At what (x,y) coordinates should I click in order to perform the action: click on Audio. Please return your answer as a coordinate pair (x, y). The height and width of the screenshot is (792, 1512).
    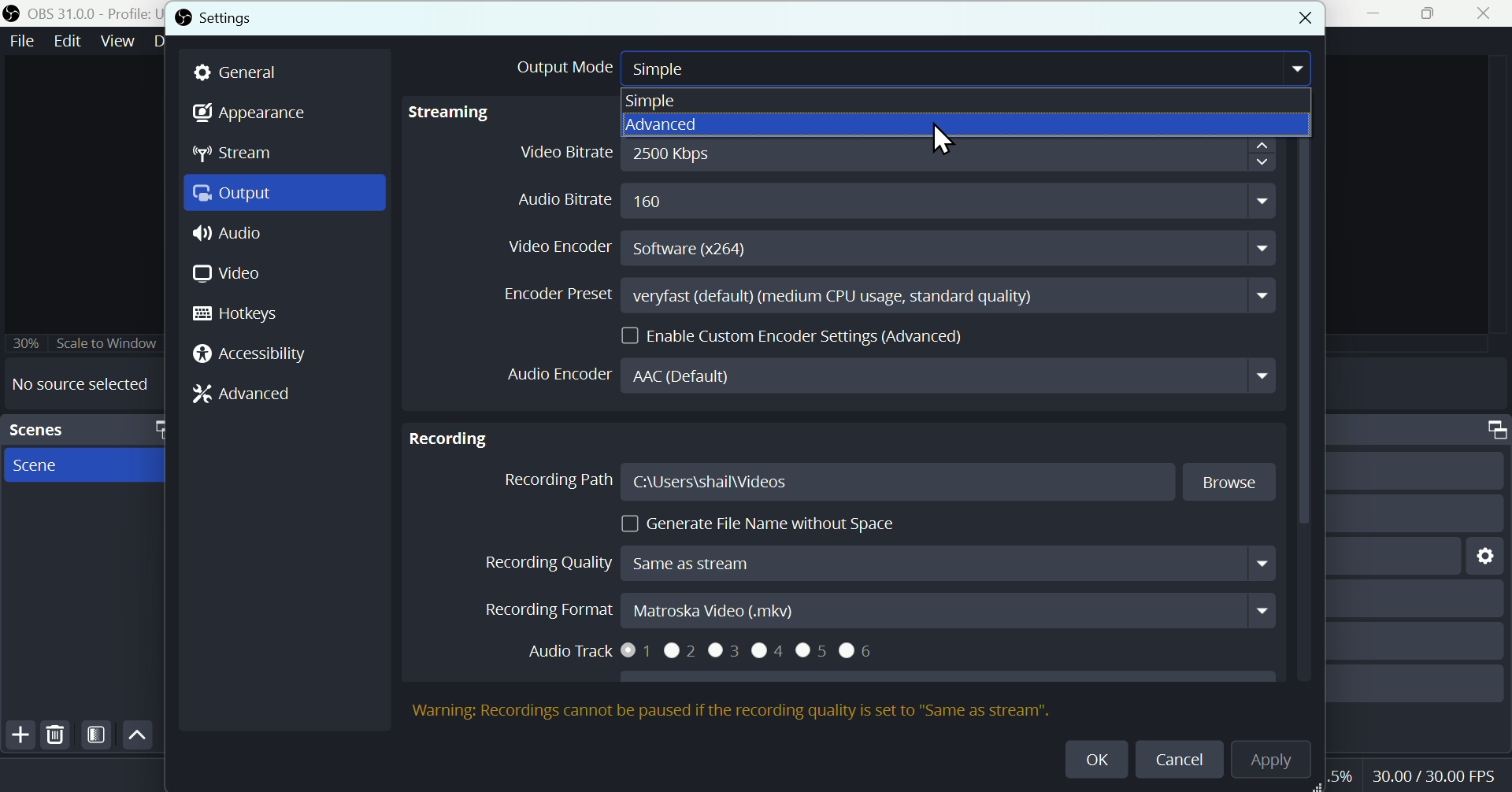
    Looking at the image, I should click on (283, 231).